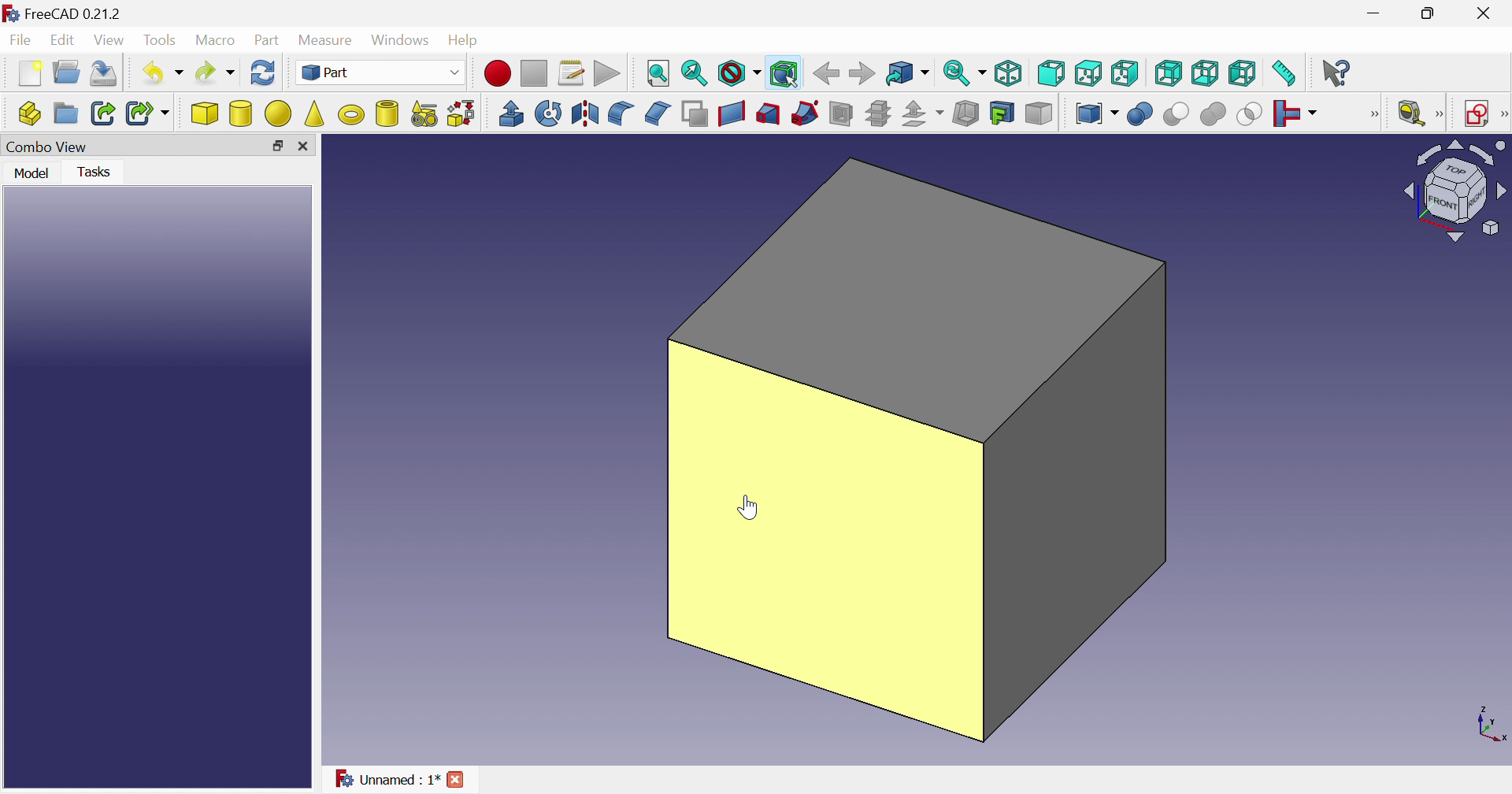 The width and height of the screenshot is (1512, 794). I want to click on Part, so click(383, 74).